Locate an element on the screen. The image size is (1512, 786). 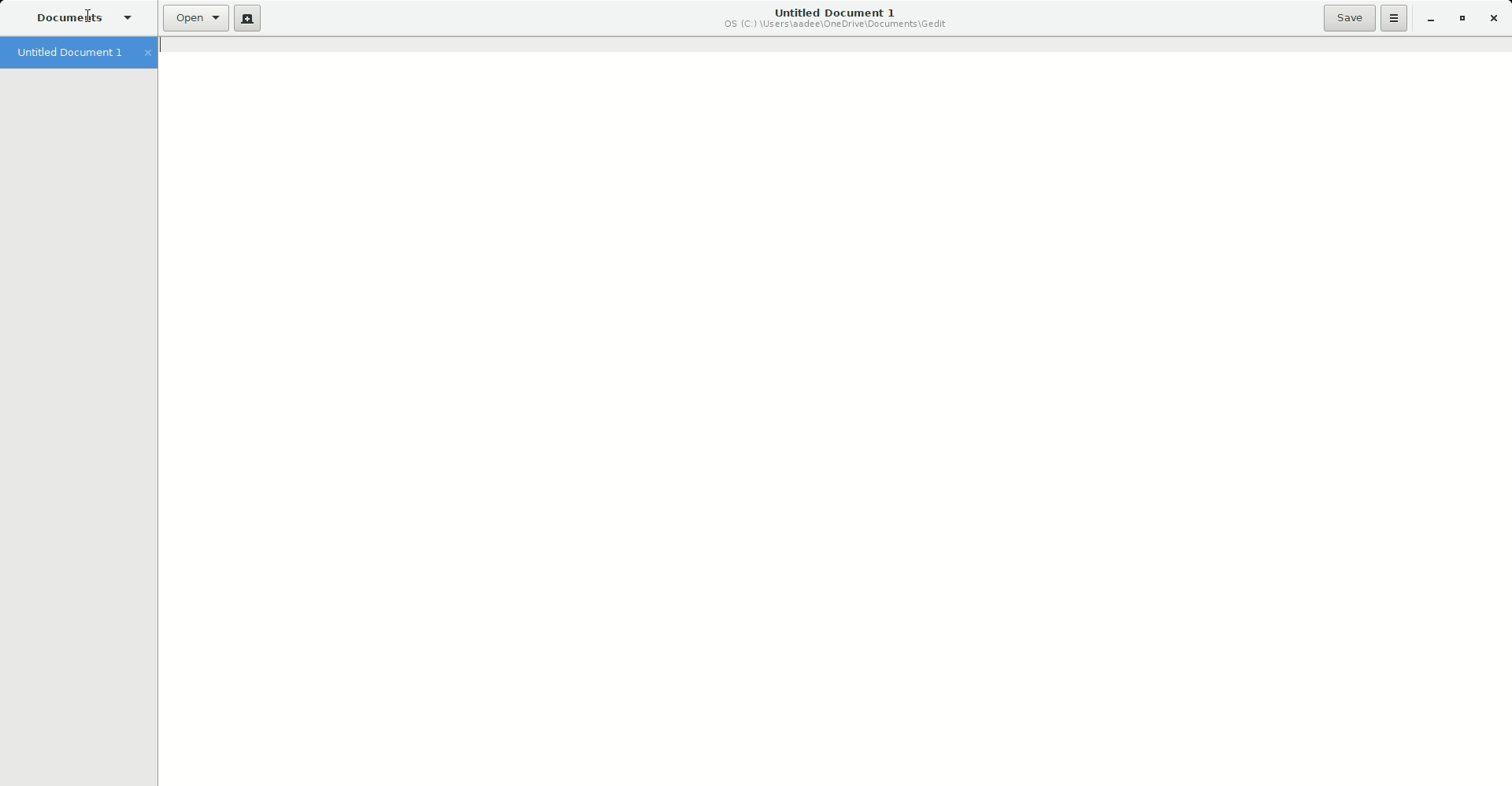
Documents is located at coordinates (83, 17).